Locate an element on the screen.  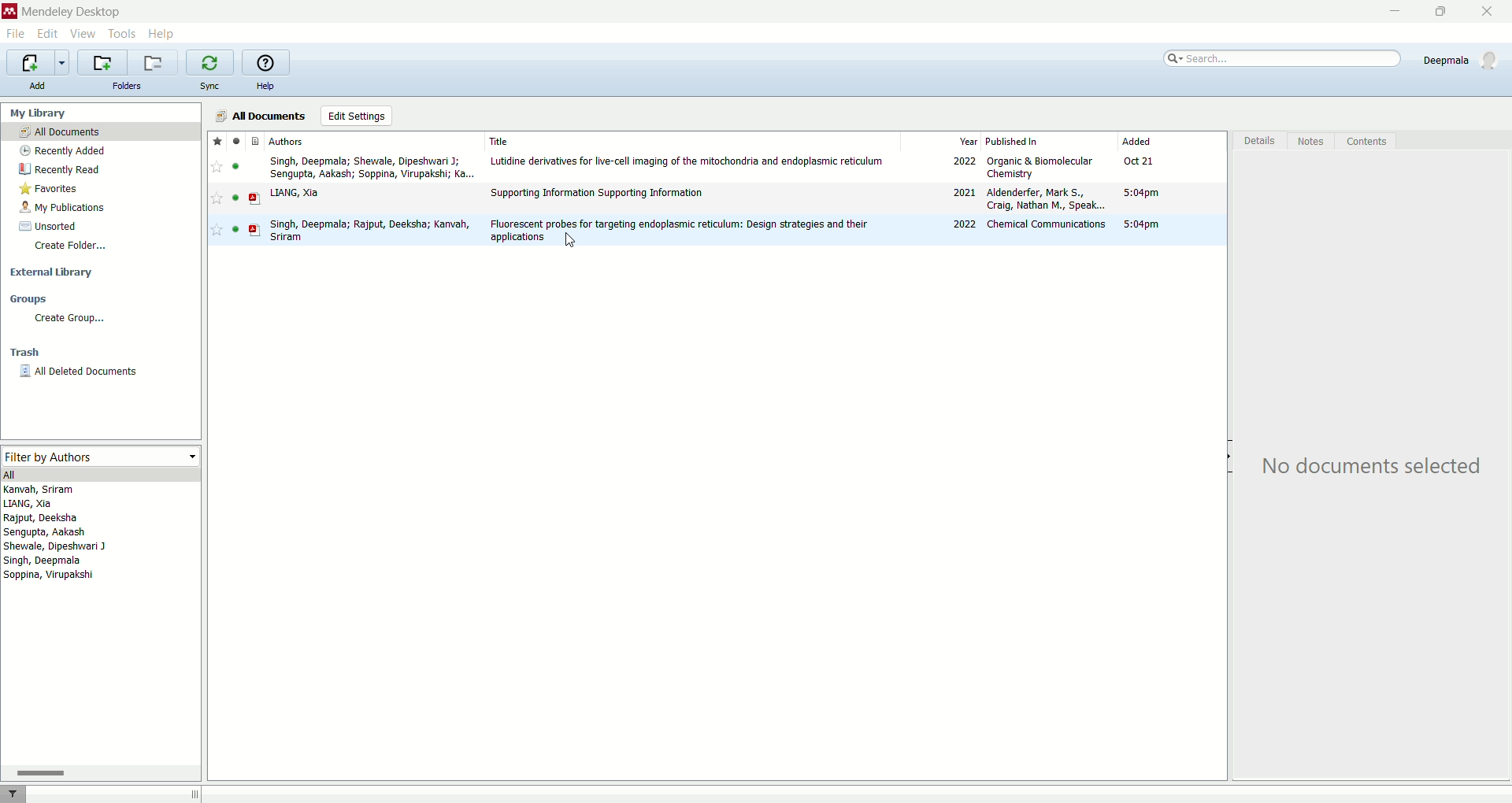
Fluorescent probes for targeting endoplasmic reticulum: Design strategies and their applications is located at coordinates (680, 230).